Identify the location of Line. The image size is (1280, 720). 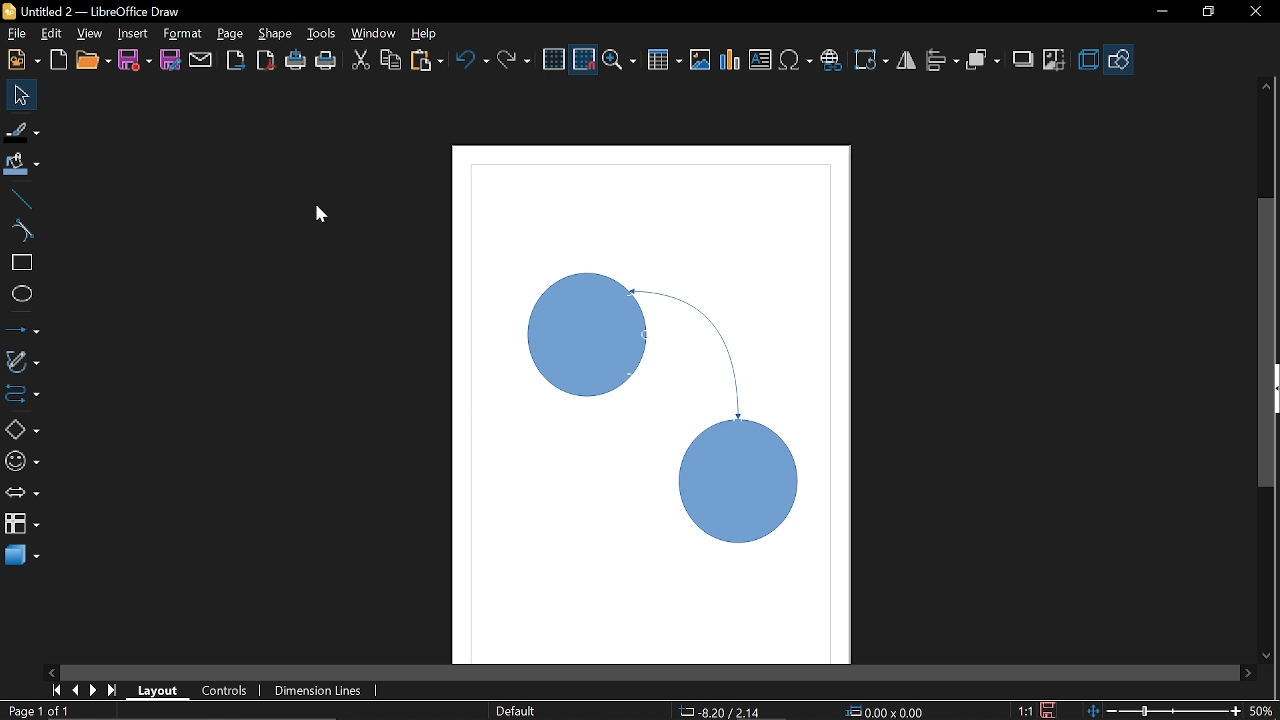
(19, 200).